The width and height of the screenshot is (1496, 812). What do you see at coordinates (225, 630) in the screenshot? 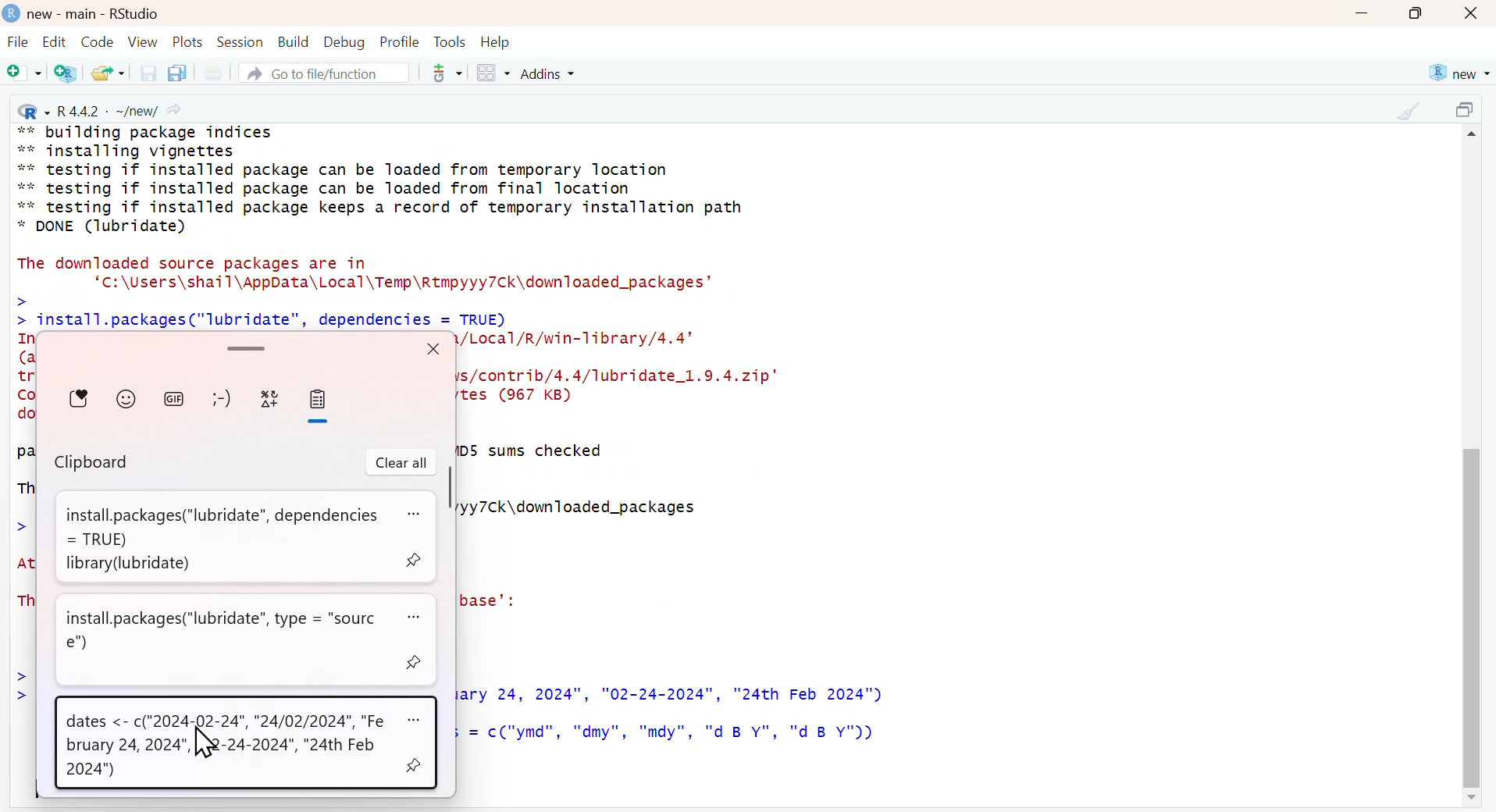
I see `install.packages("lubridate”, type = "sourc
e")` at bounding box center [225, 630].